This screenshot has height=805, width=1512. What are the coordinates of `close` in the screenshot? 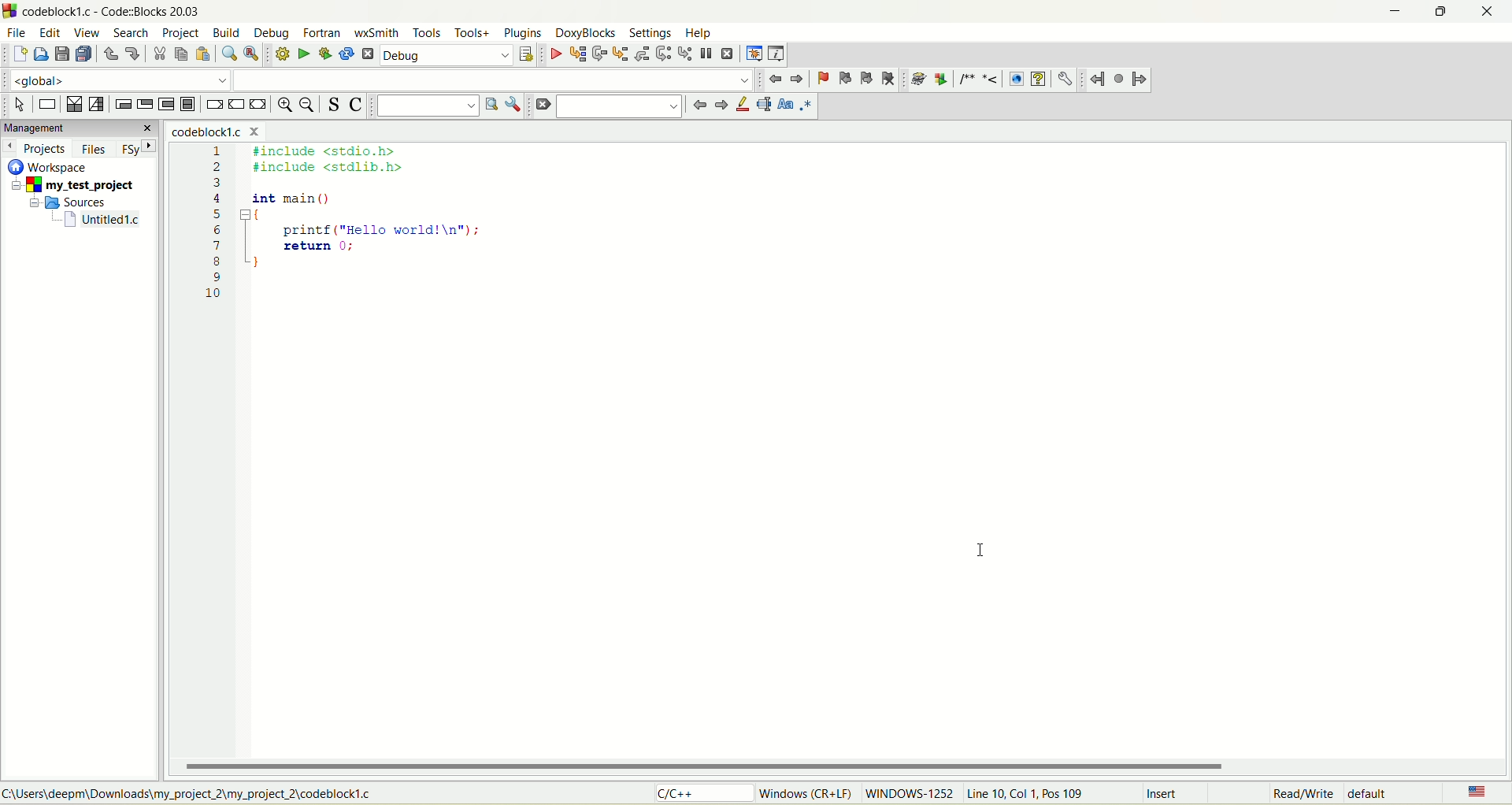 It's located at (1492, 12).